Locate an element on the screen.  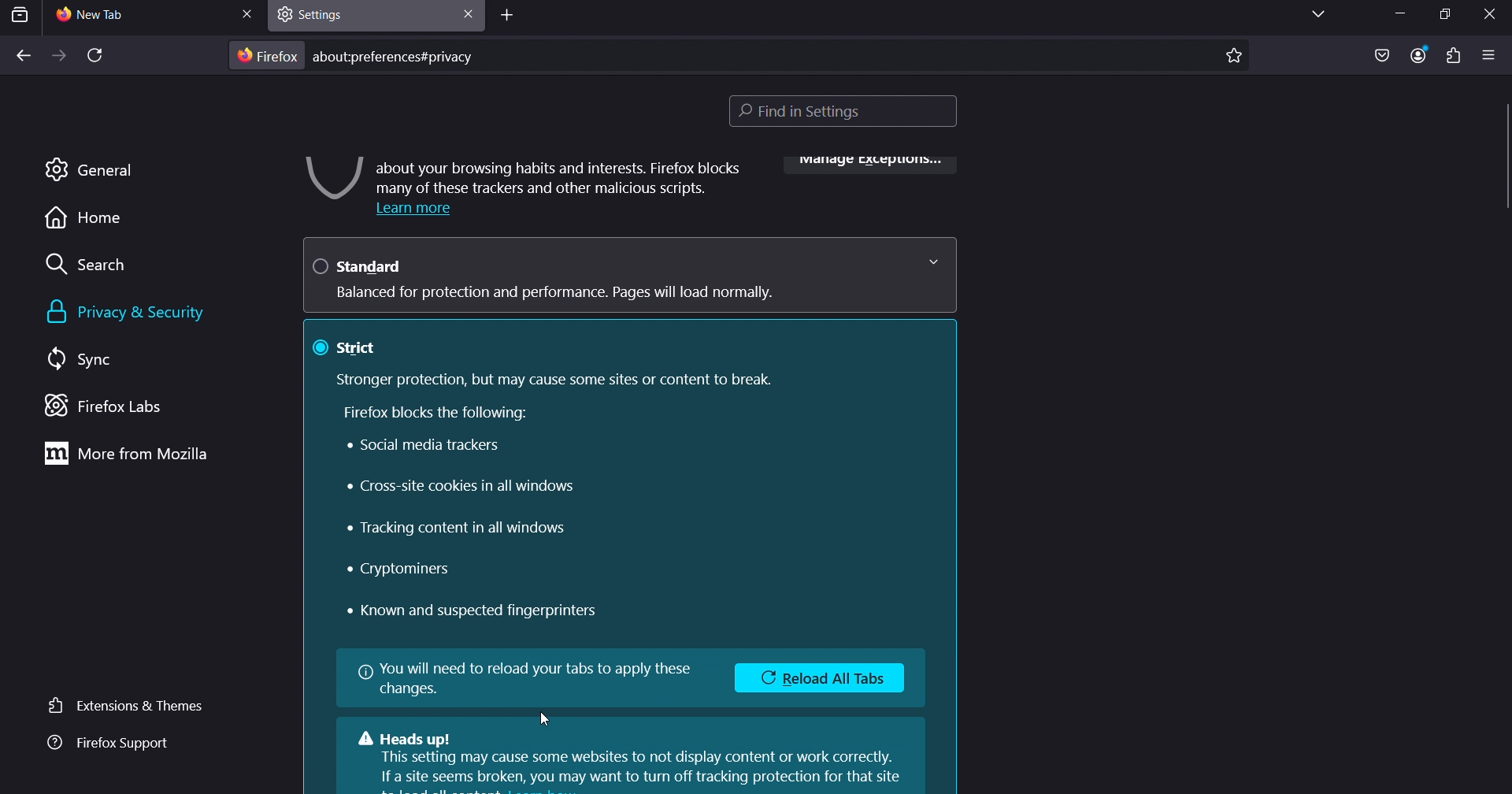
Learn more is located at coordinates (421, 210).